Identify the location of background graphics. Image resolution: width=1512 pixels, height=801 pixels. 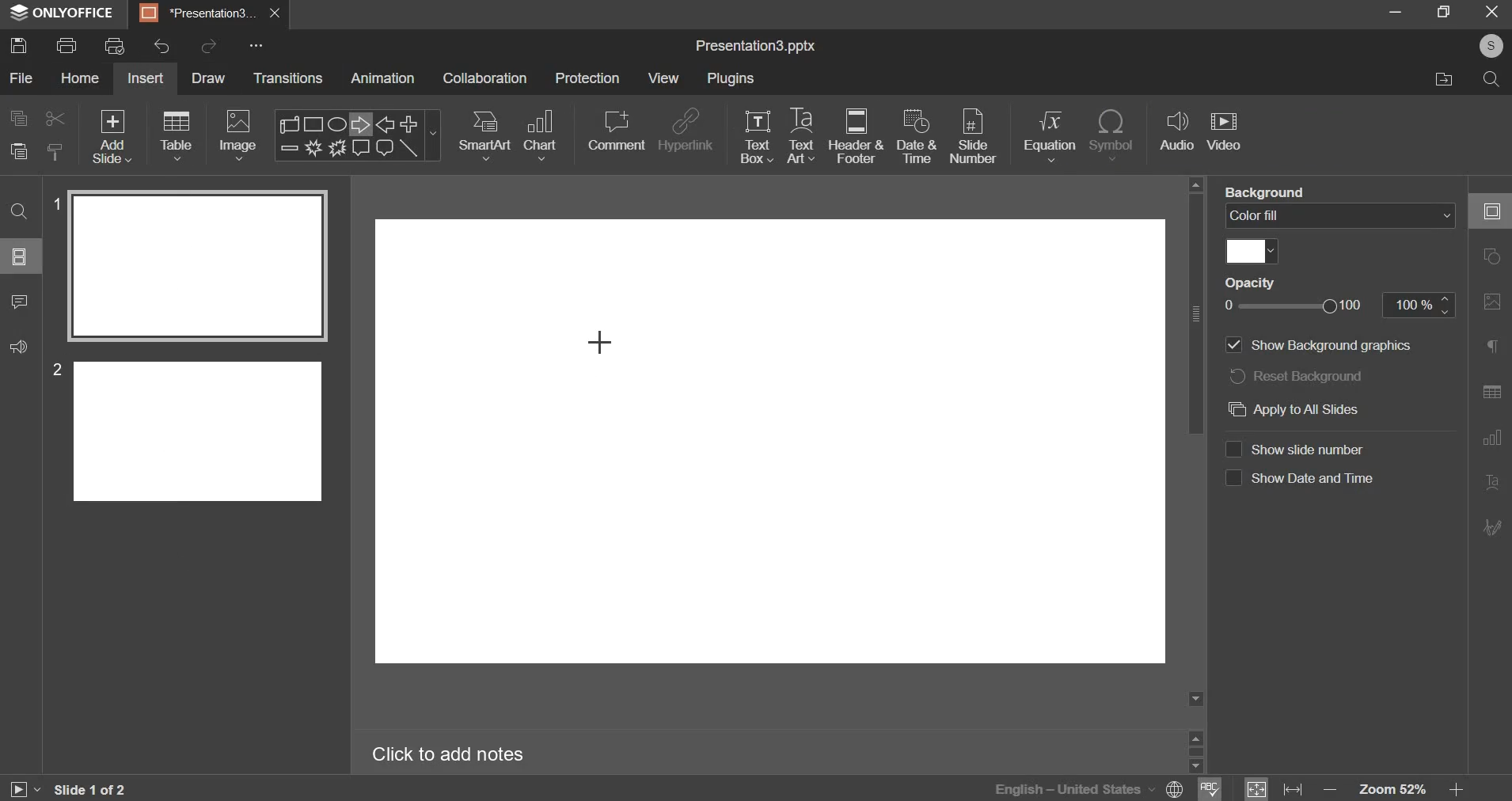
(1323, 346).